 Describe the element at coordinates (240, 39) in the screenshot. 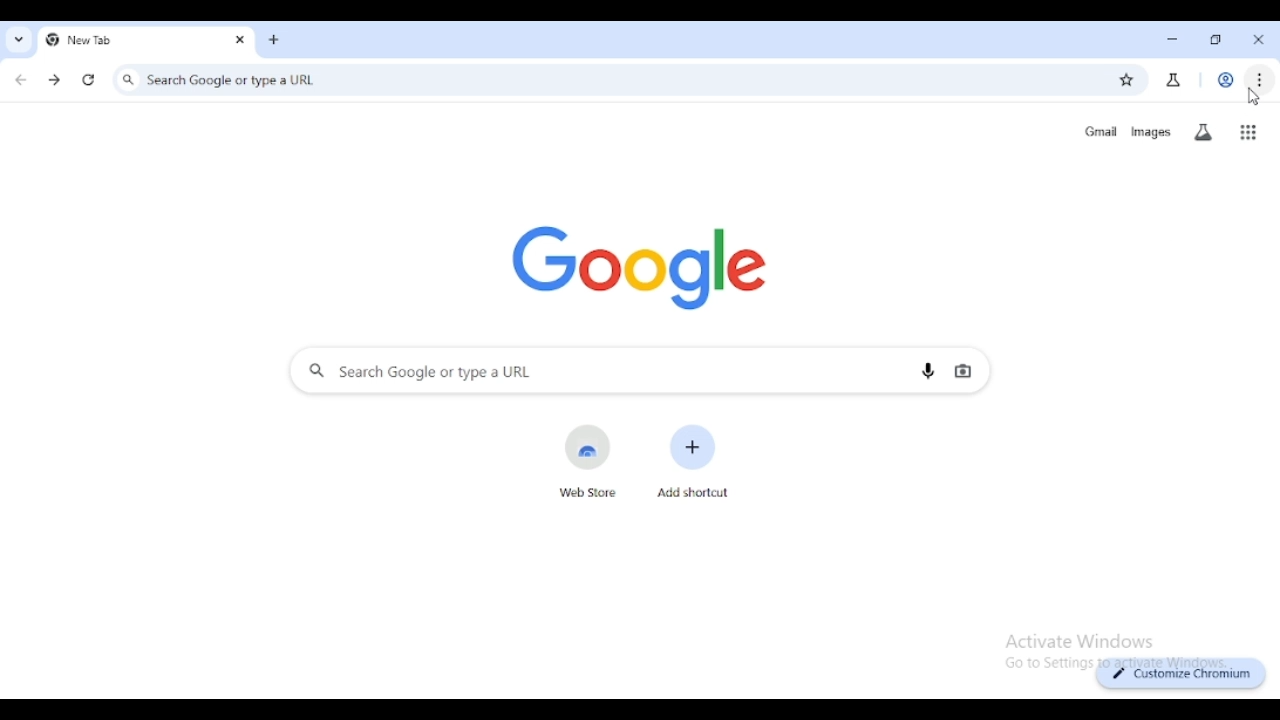

I see `close tab` at that location.